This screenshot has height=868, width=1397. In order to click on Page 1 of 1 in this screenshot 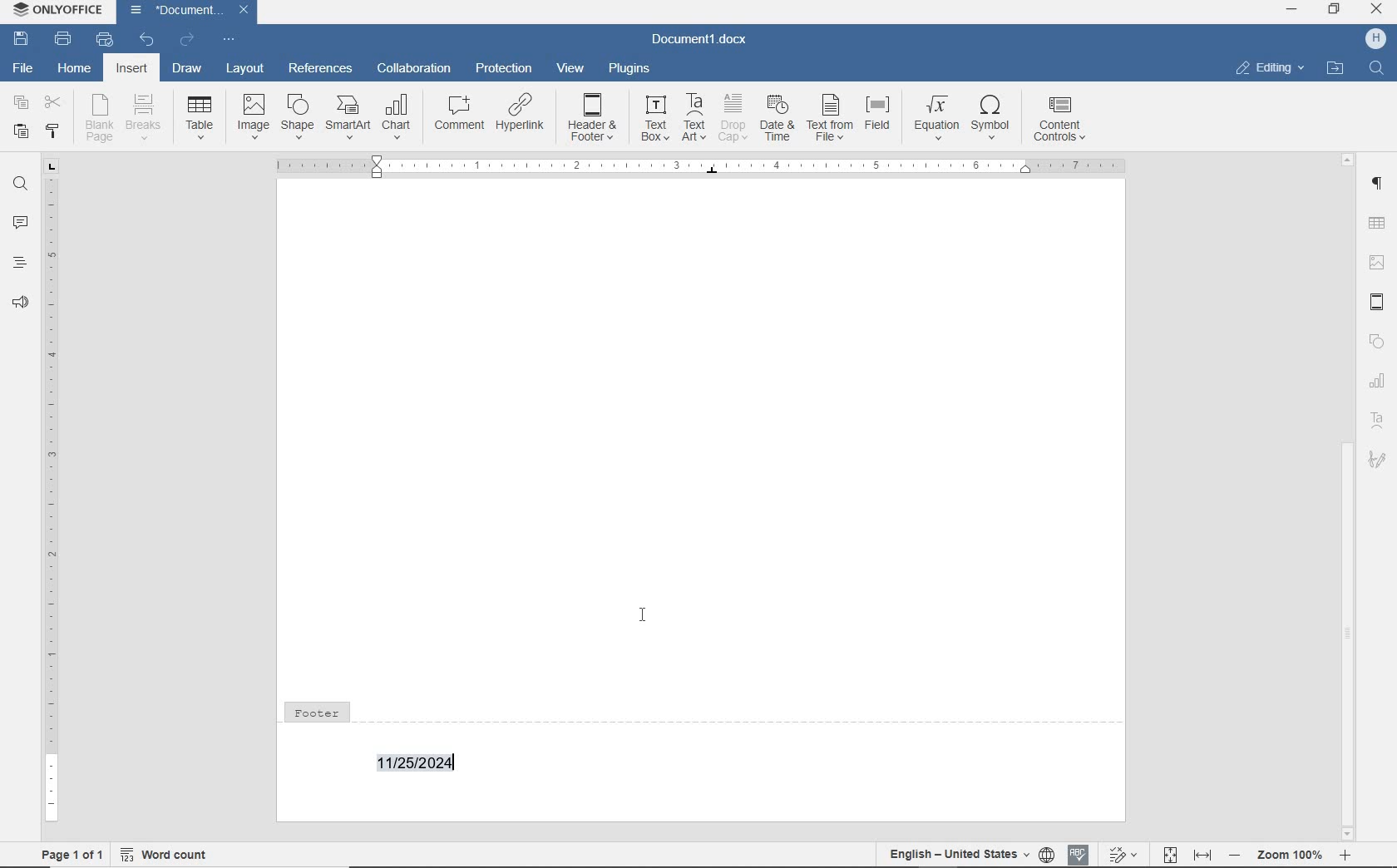, I will do `click(66, 854)`.